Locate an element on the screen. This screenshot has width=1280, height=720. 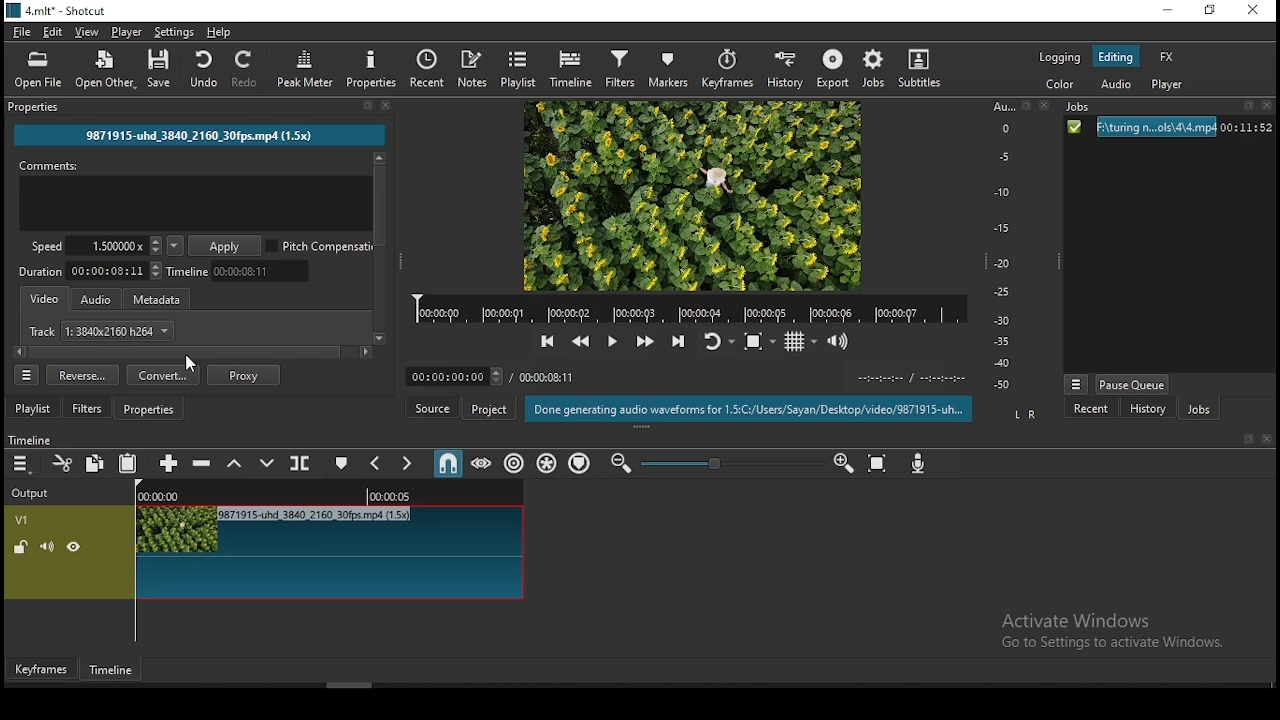
Player is located at coordinates (691, 309).